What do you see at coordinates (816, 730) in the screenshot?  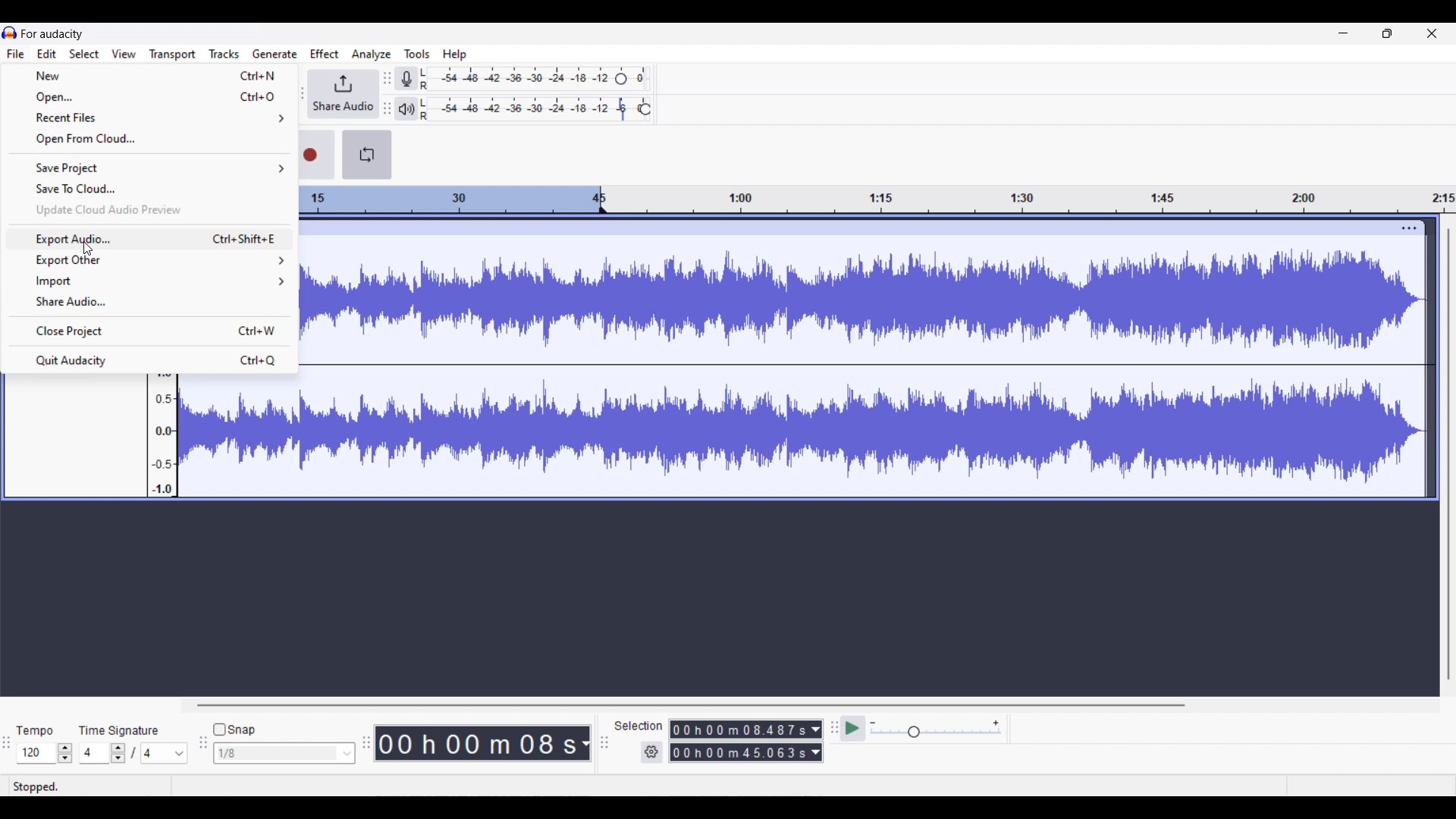 I see `Duration measurement` at bounding box center [816, 730].